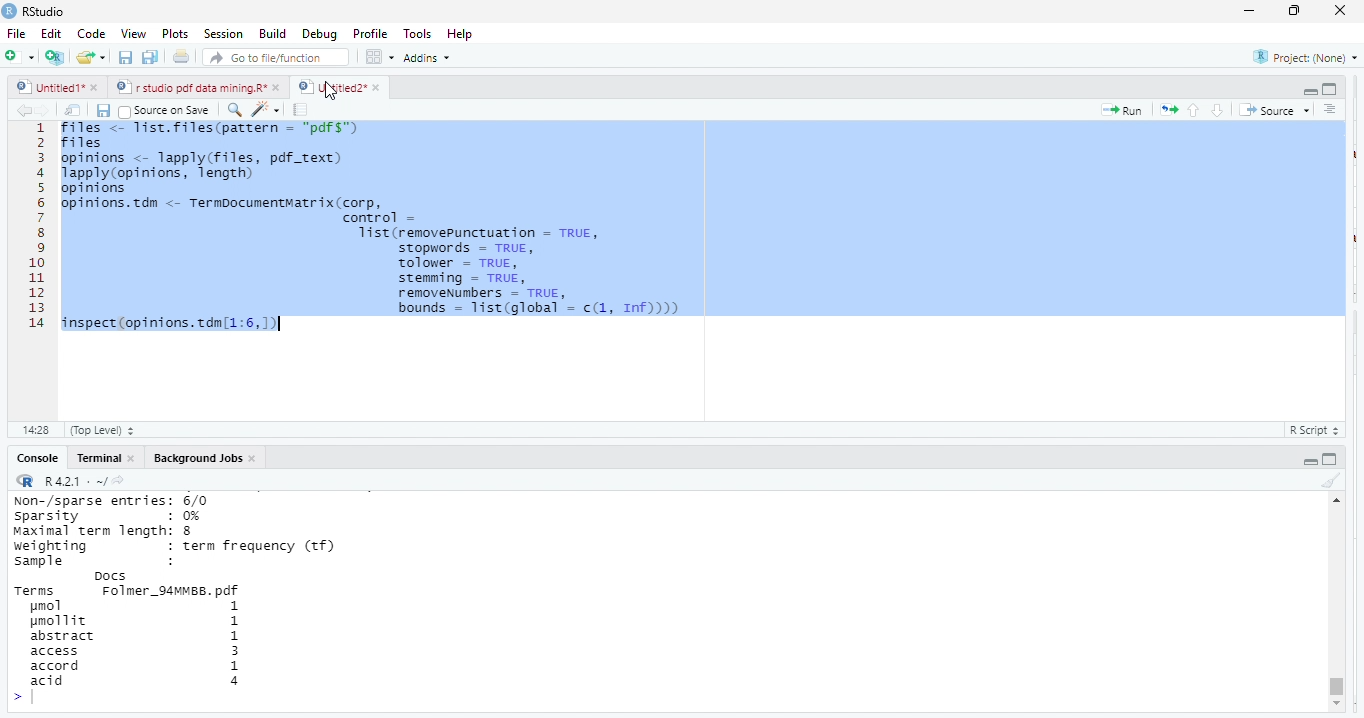  I want to click on cursor movement, so click(332, 92).